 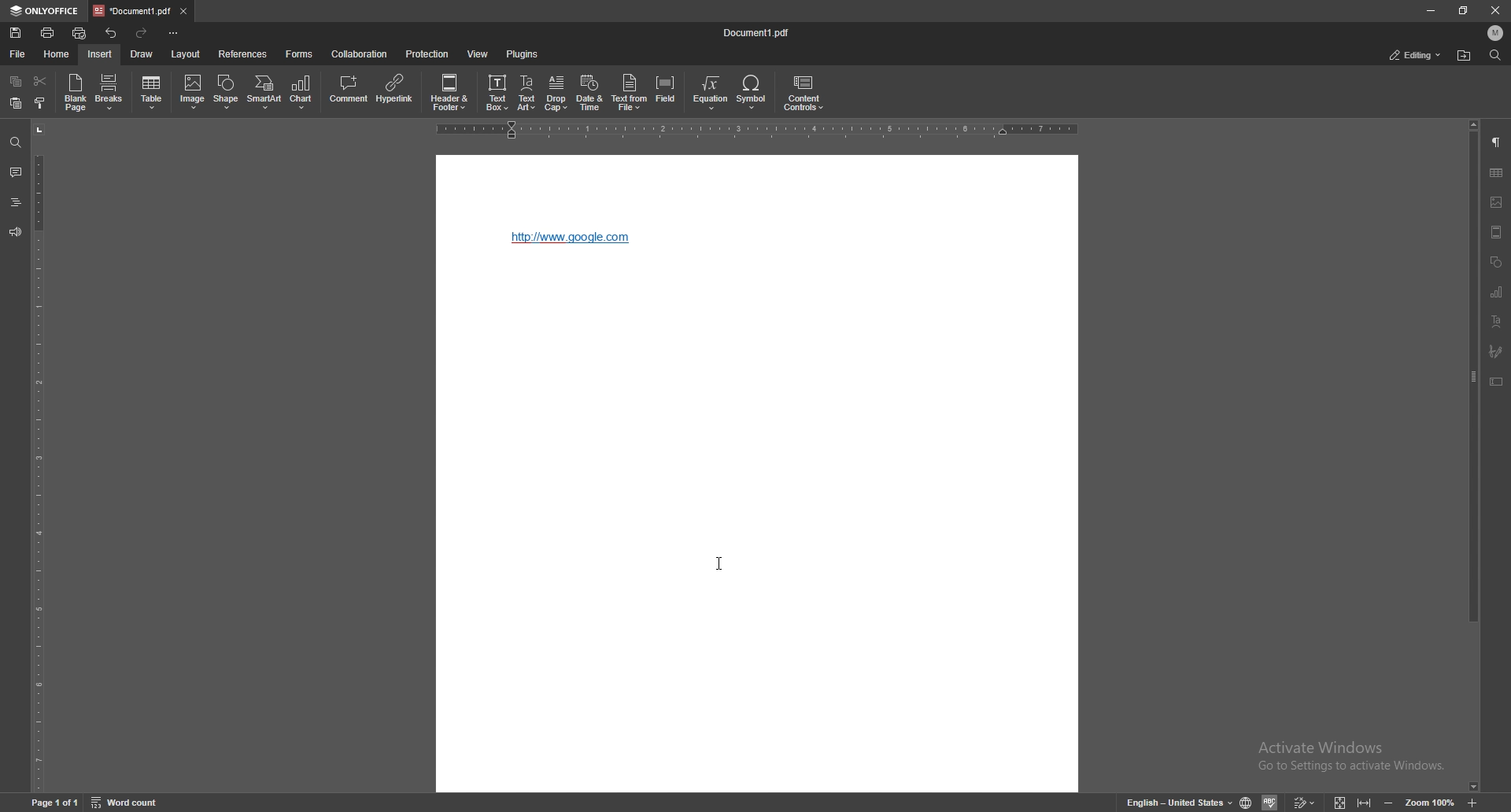 I want to click on equation, so click(x=713, y=93).